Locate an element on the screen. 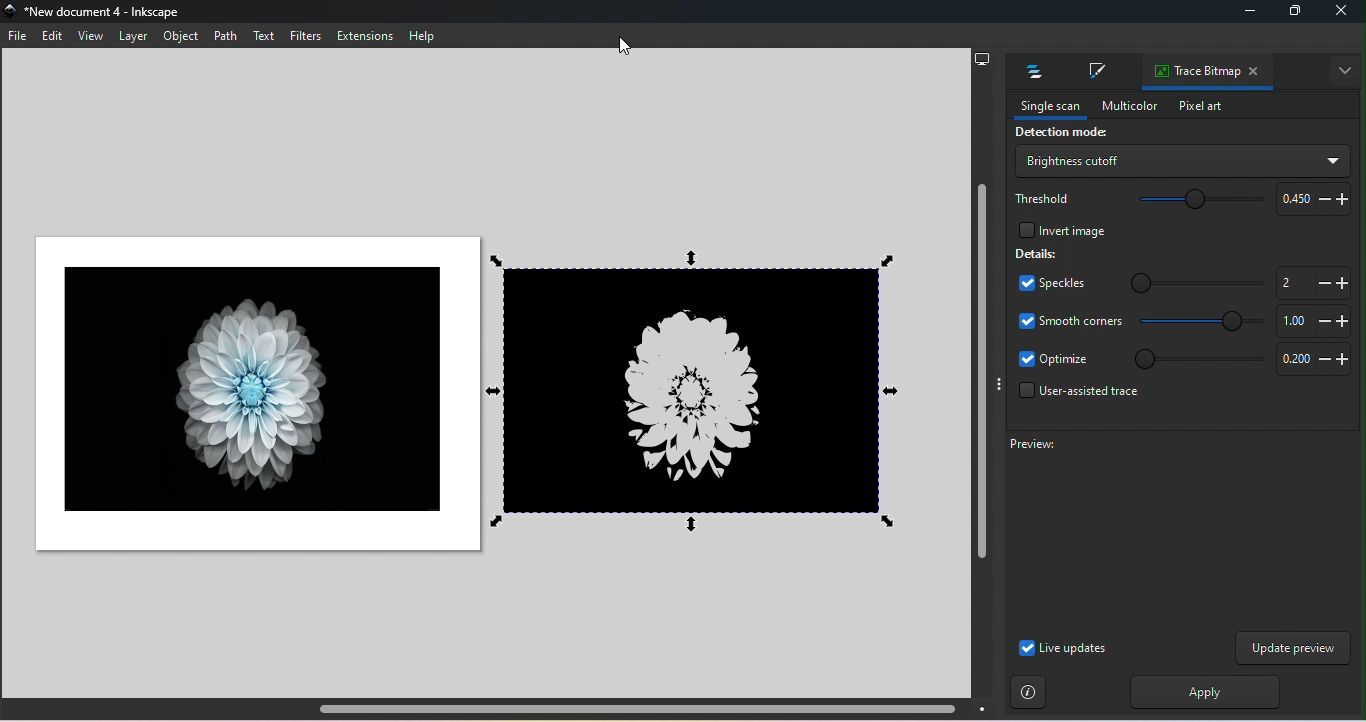 The height and width of the screenshot is (722, 1366). Smooth corners is located at coordinates (1070, 320).